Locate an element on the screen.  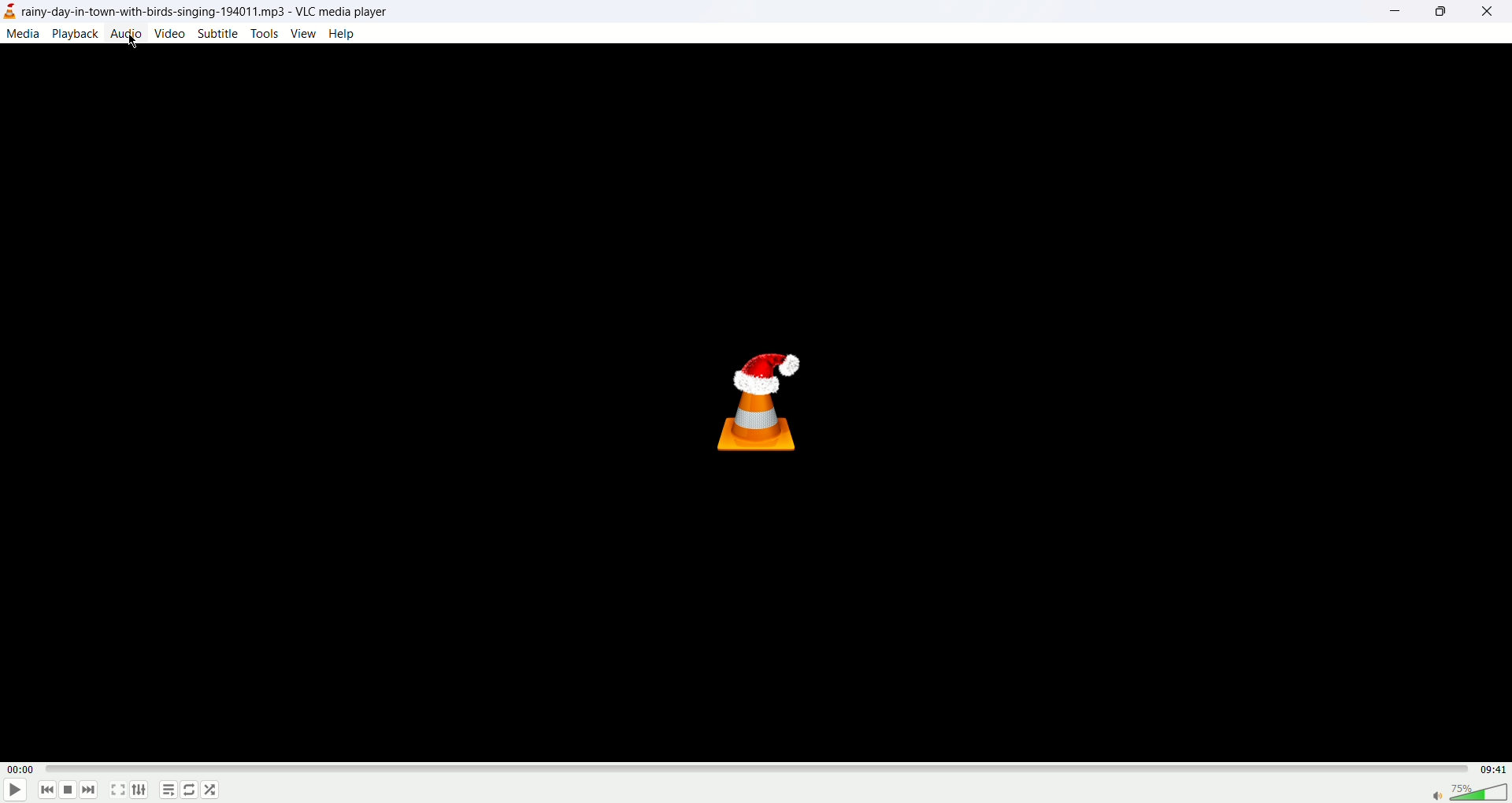
playlist is located at coordinates (169, 790).